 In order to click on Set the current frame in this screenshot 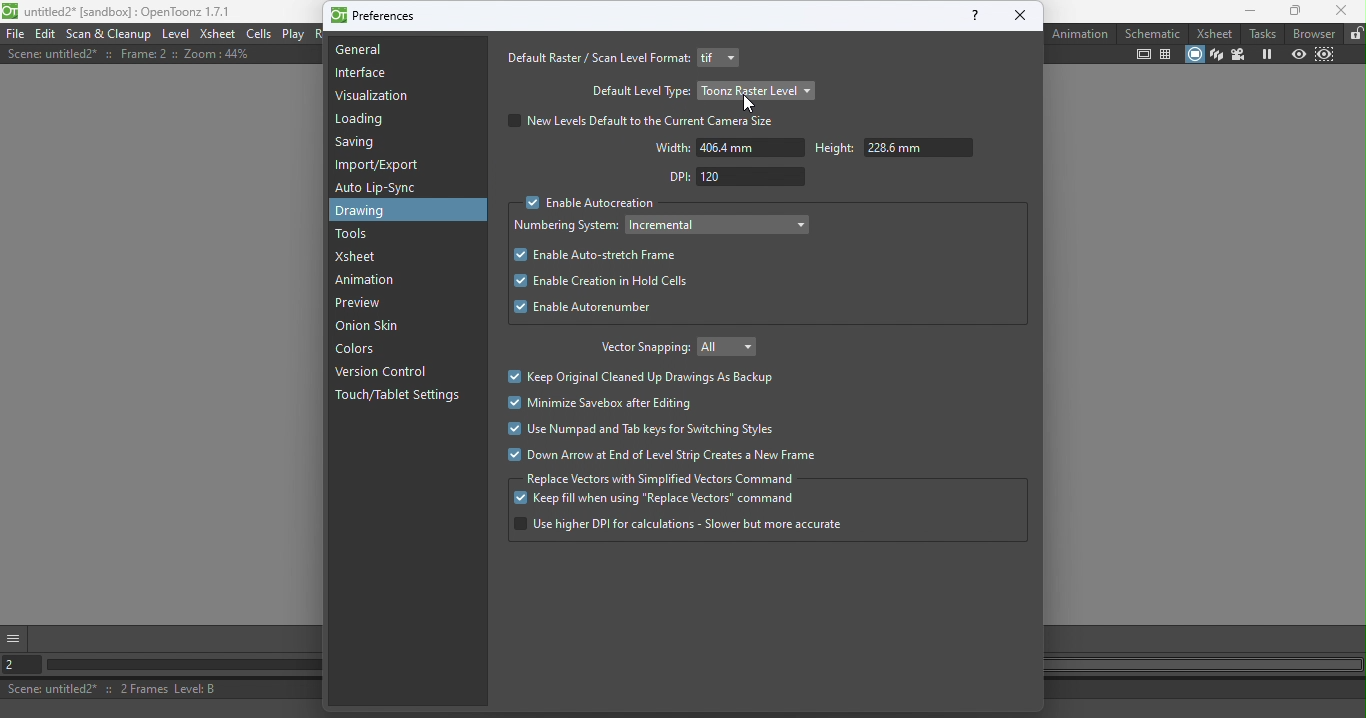, I will do `click(17, 665)`.